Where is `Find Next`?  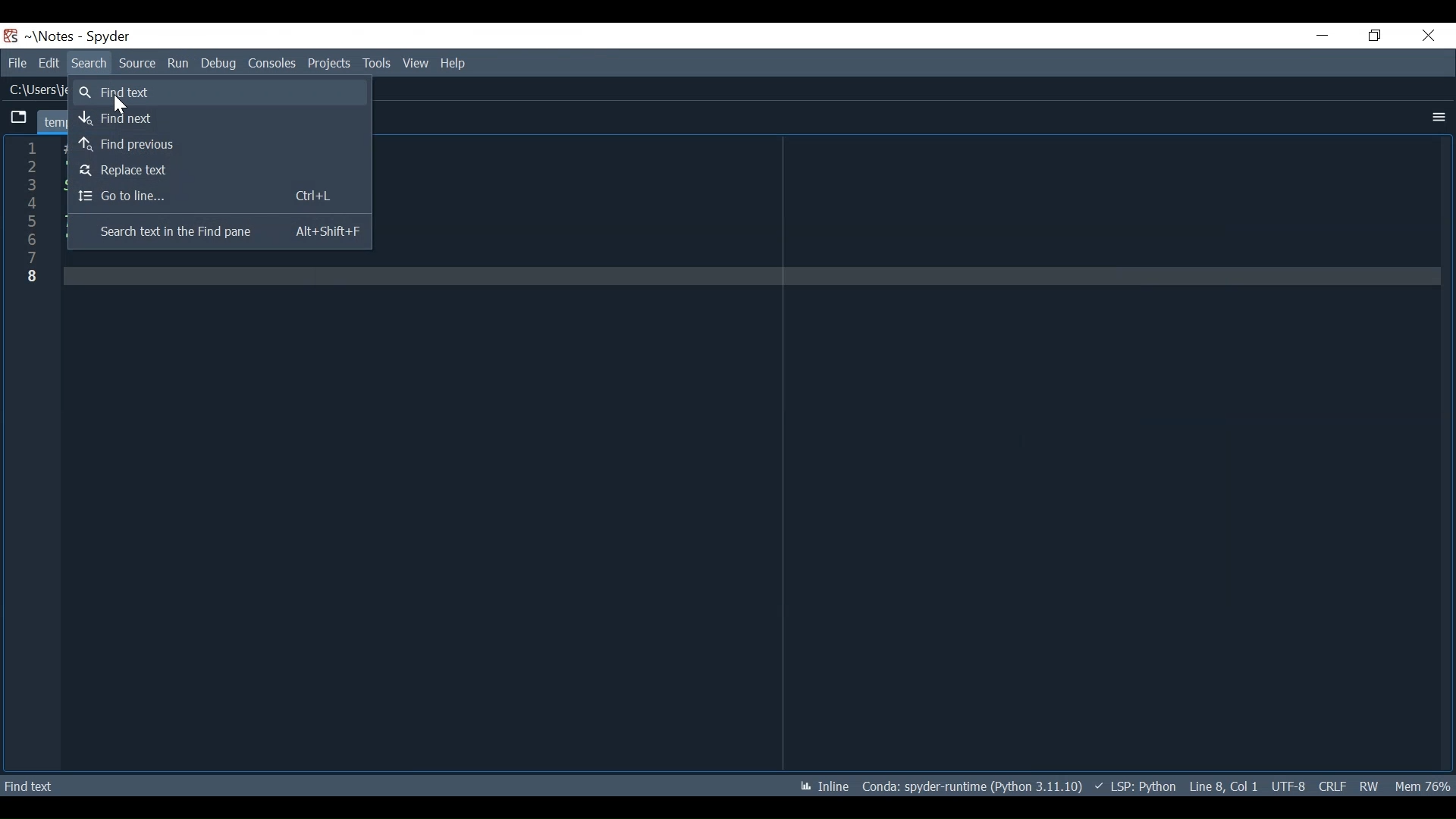
Find Next is located at coordinates (214, 119).